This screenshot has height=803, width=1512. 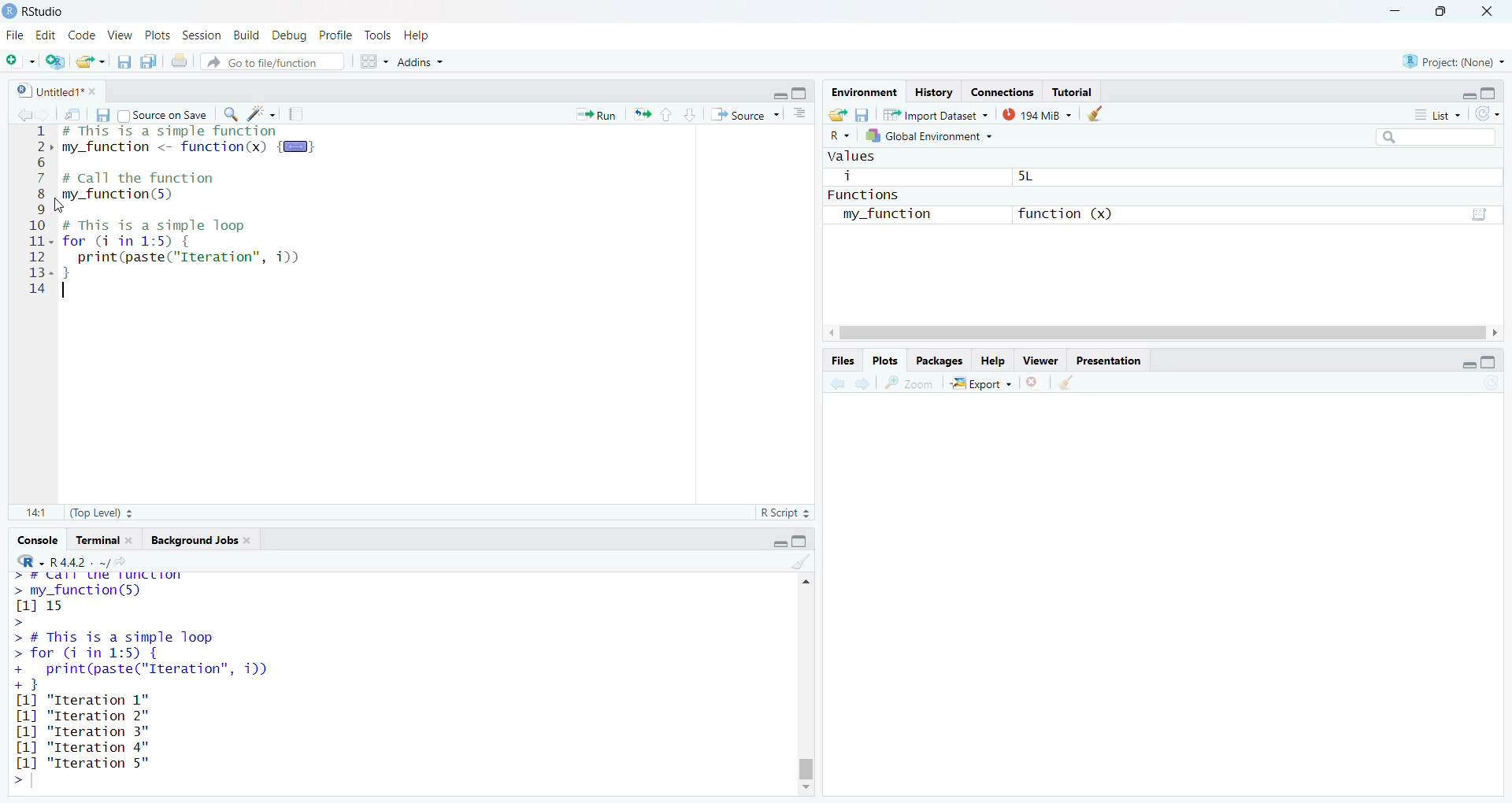 I want to click on build, so click(x=245, y=32).